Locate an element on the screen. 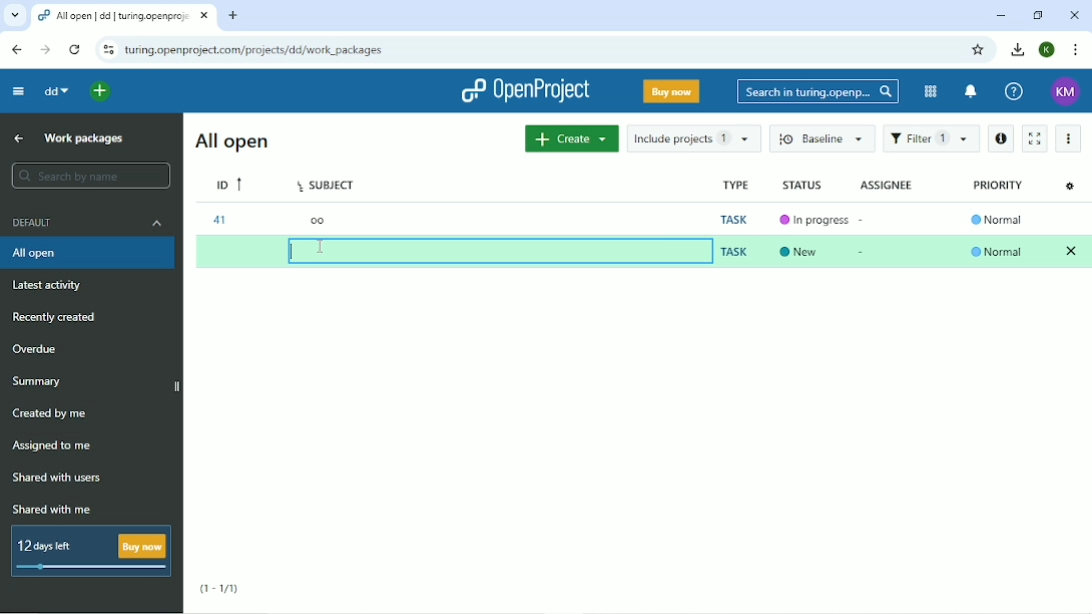 The image size is (1092, 614). Work packages is located at coordinates (84, 140).